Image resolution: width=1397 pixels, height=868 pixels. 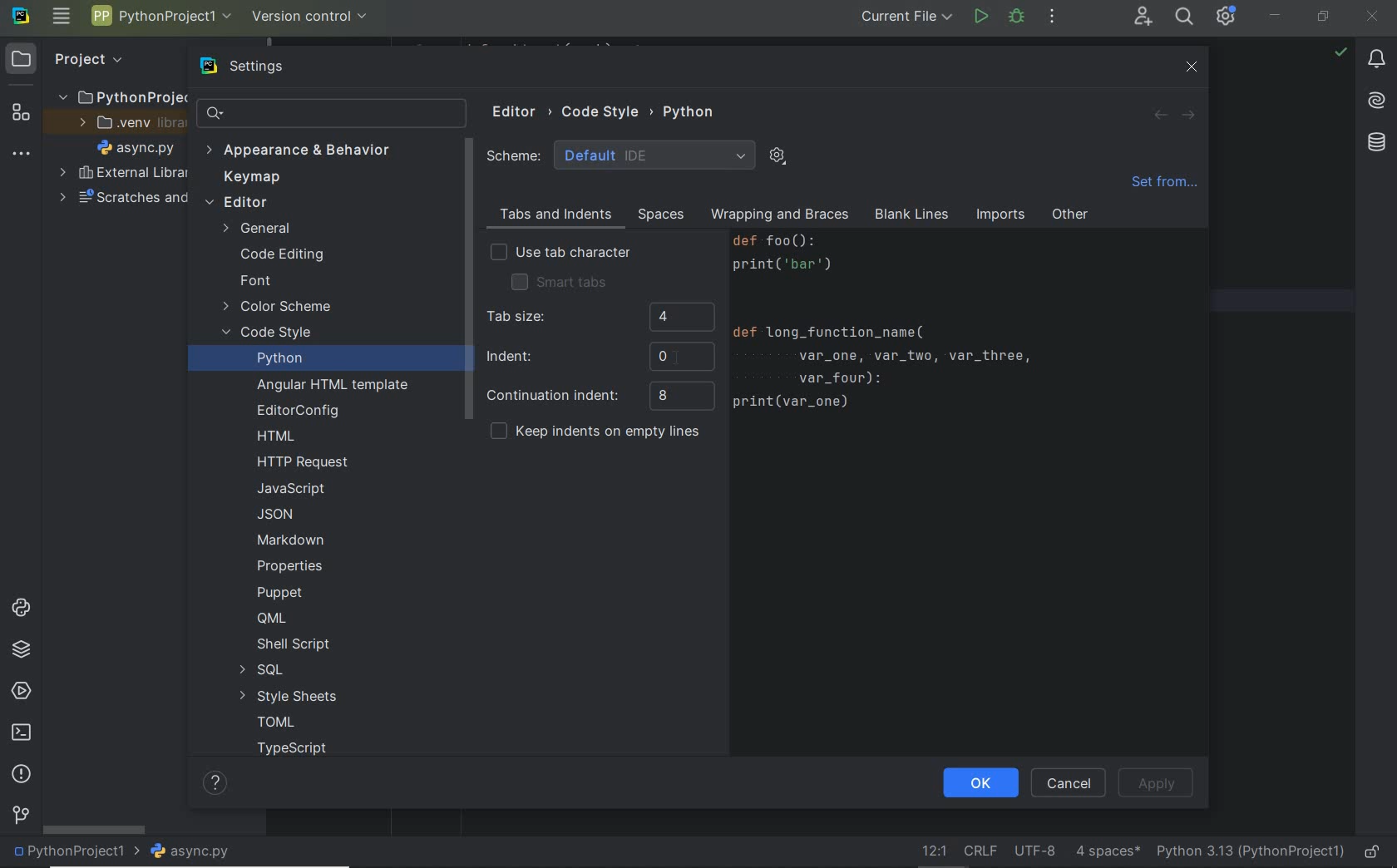 What do you see at coordinates (195, 852) in the screenshot?
I see `file name` at bounding box center [195, 852].